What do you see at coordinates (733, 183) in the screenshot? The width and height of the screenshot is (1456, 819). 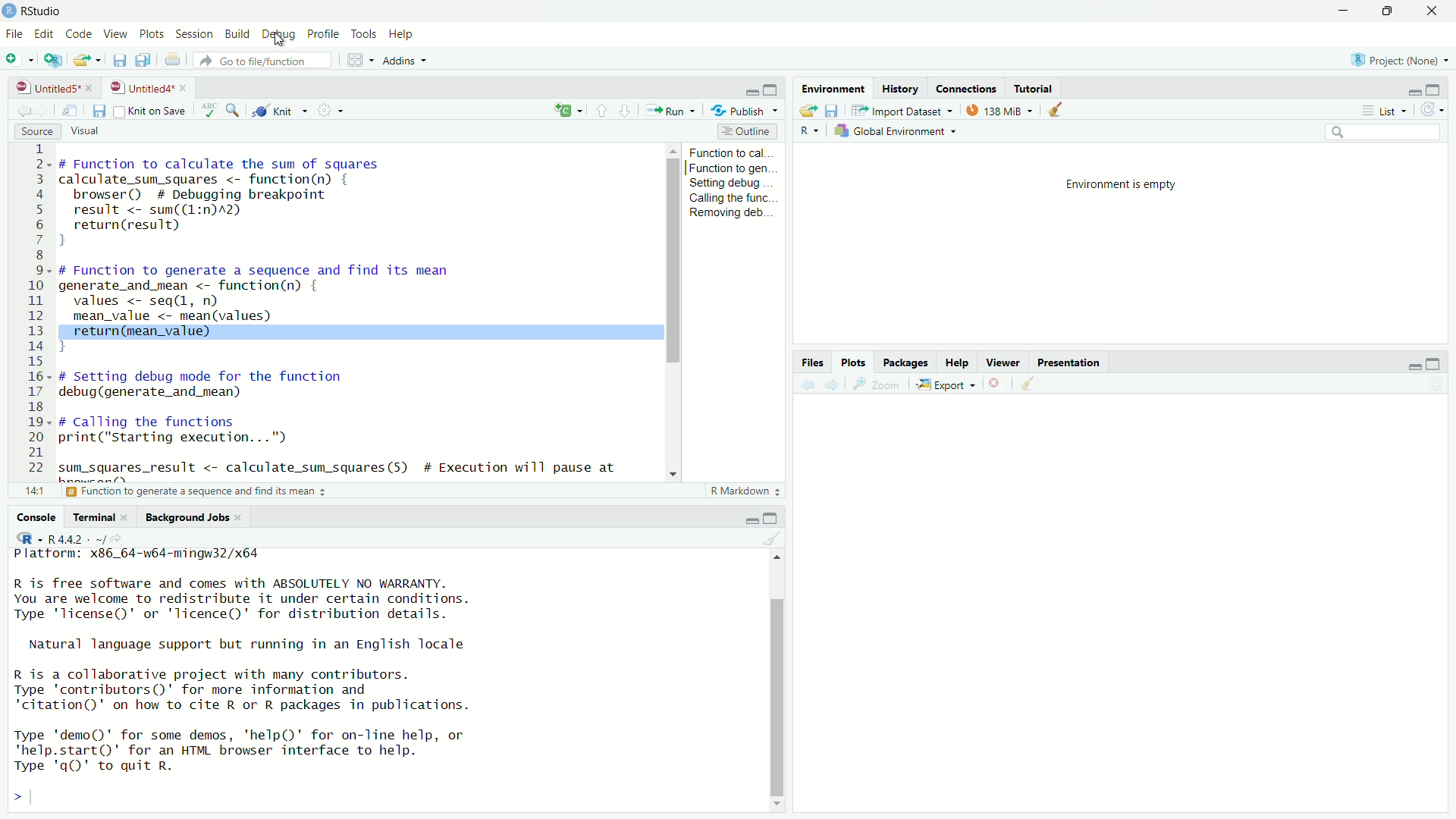 I see `setting debug...` at bounding box center [733, 183].